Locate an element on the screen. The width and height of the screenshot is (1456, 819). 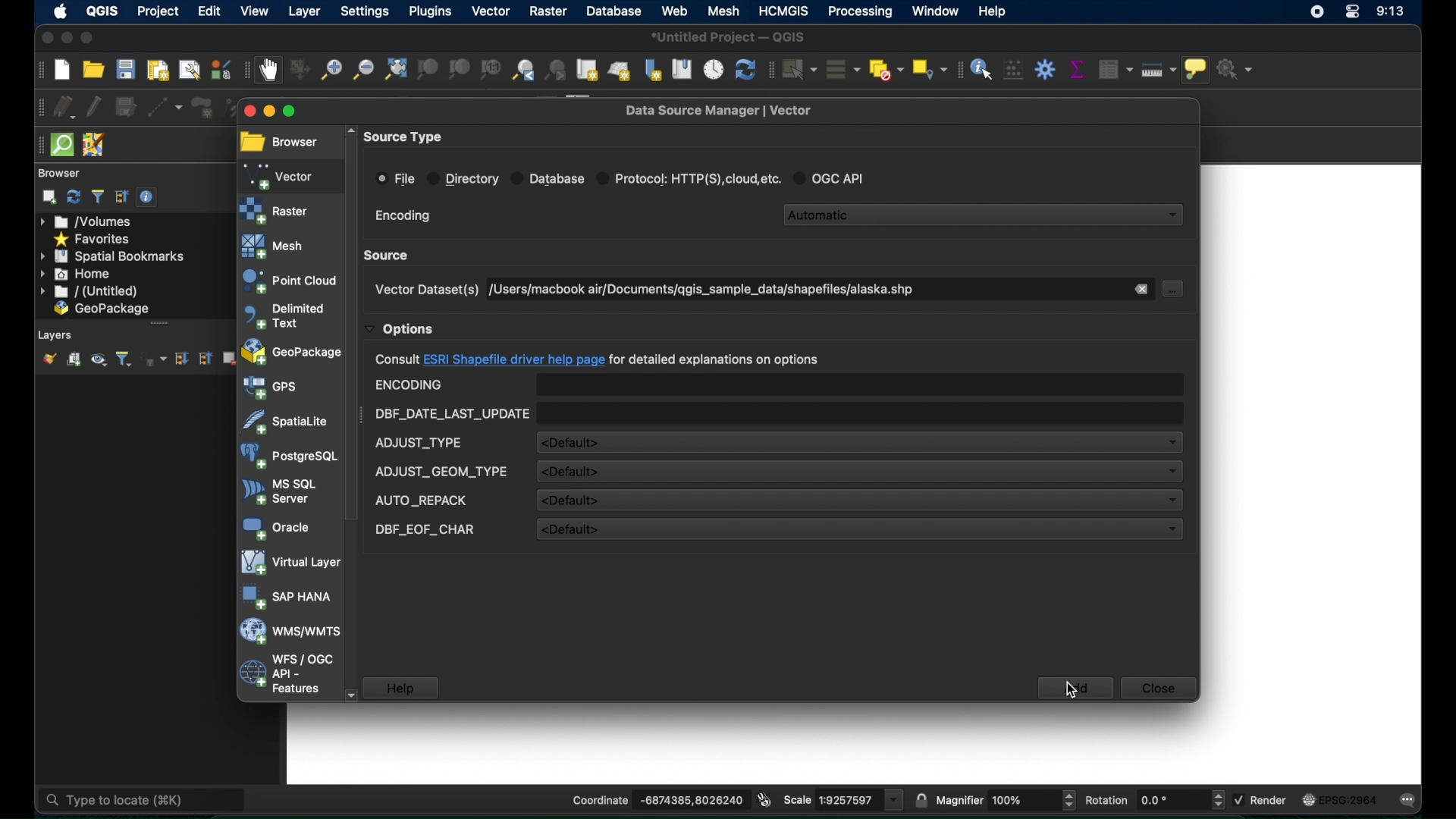
scroll box is located at coordinates (353, 329).